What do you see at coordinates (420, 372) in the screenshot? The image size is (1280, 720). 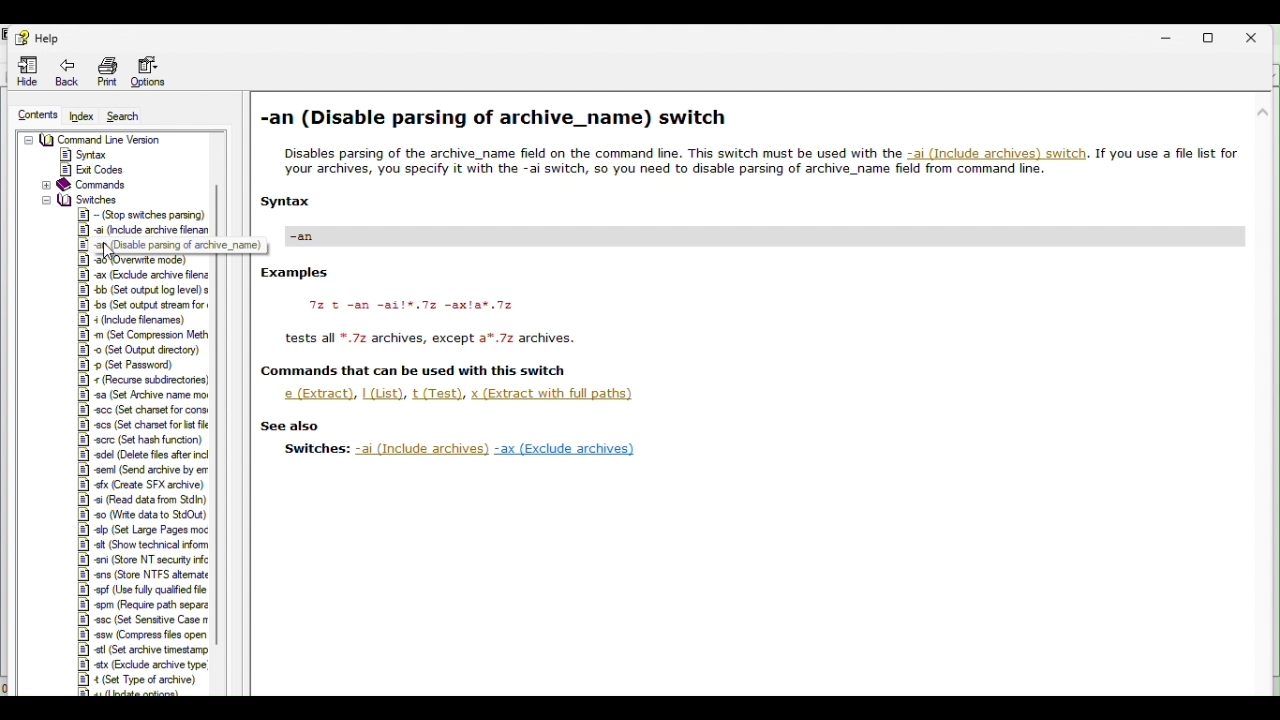 I see `Commands that can be used with this switch` at bounding box center [420, 372].